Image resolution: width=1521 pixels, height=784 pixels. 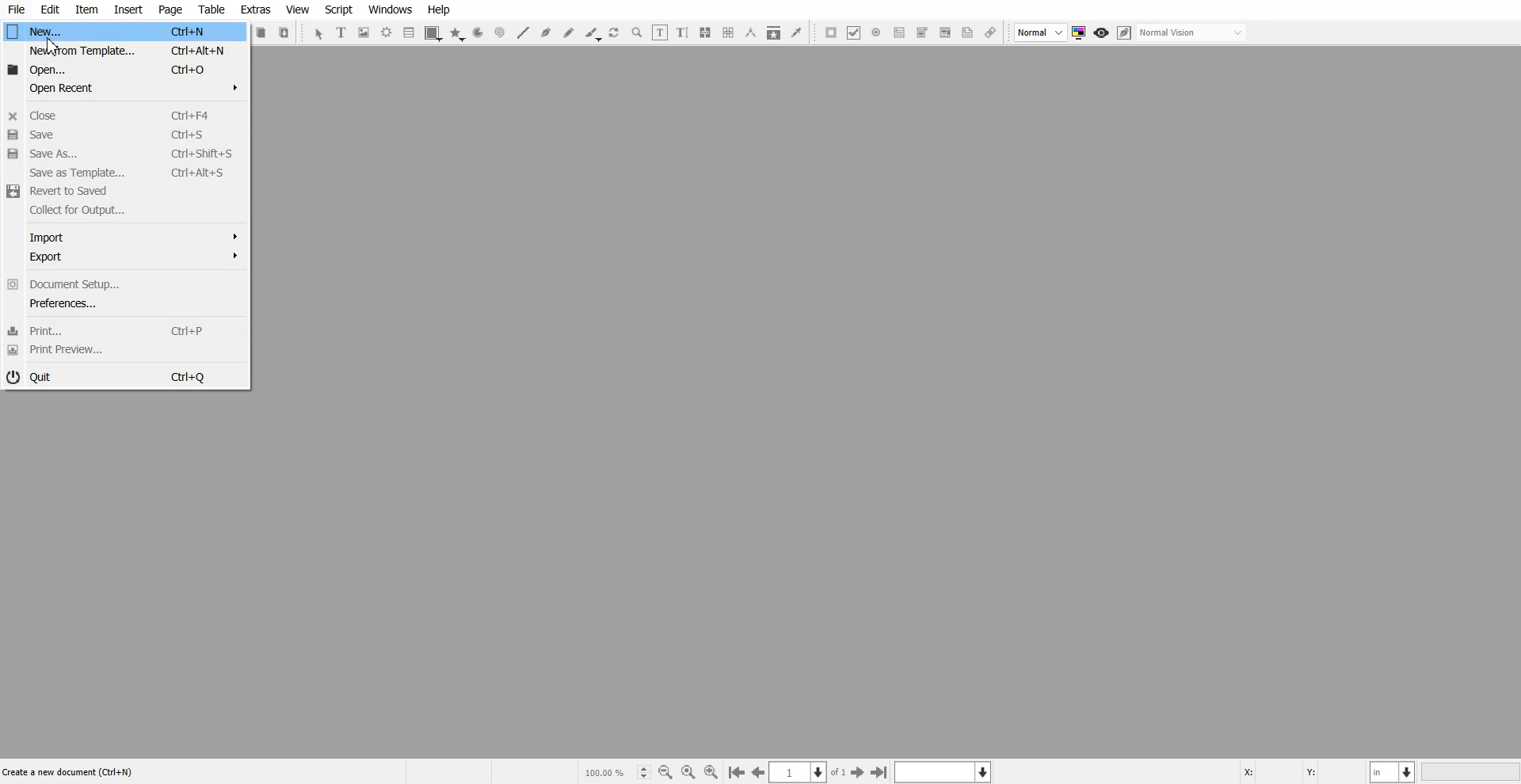 I want to click on Select visual appearance of the display, so click(x=1193, y=33).